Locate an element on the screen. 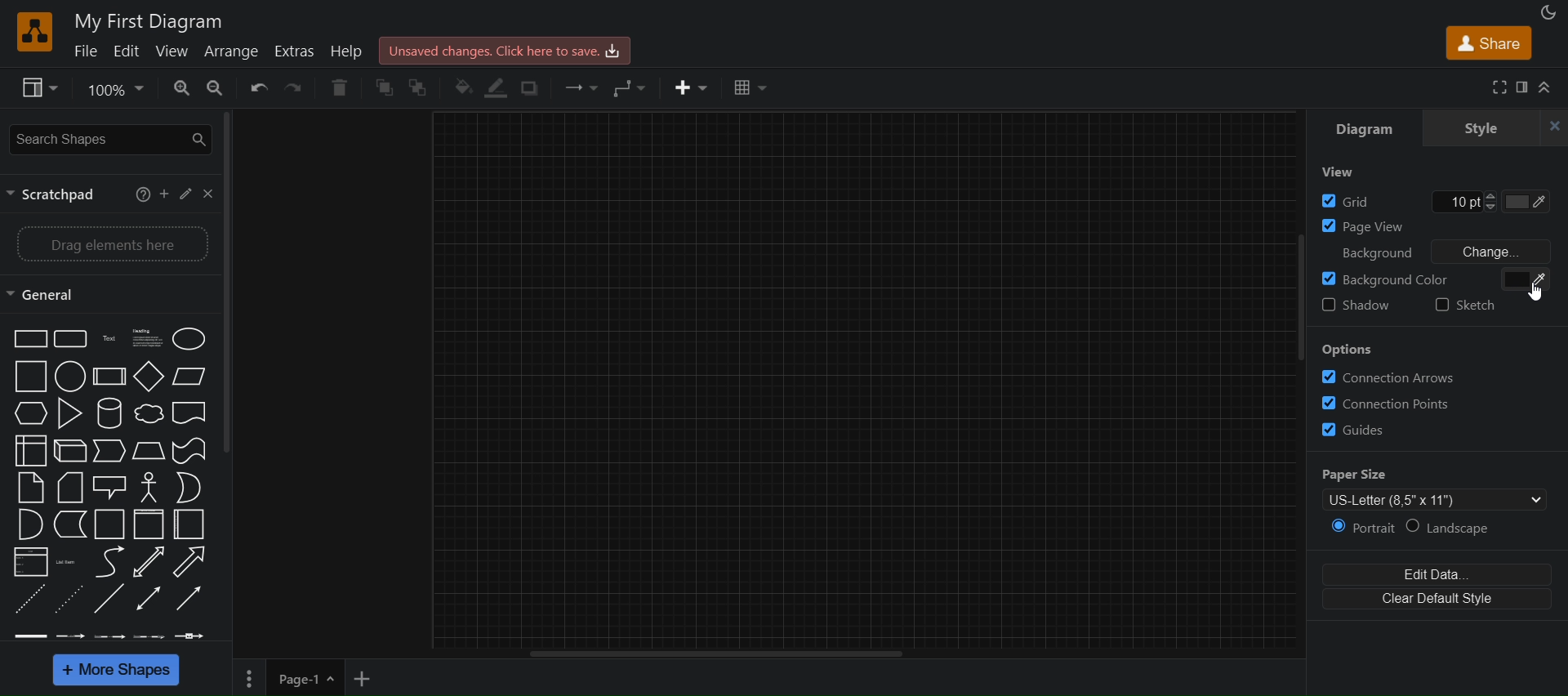  sketch is located at coordinates (1476, 310).